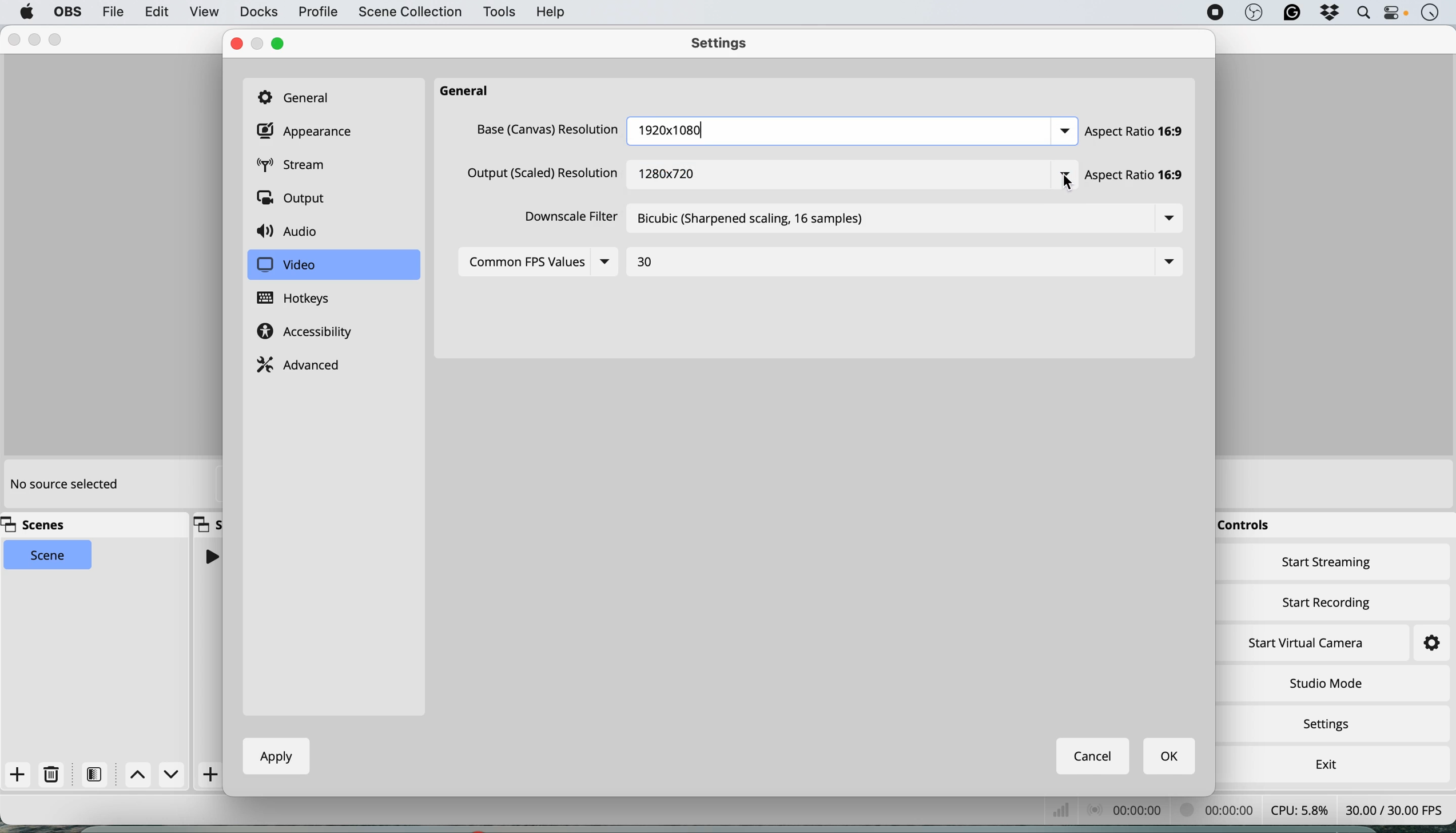 This screenshot has height=833, width=1456. What do you see at coordinates (1129, 809) in the screenshot?
I see `cpu usage` at bounding box center [1129, 809].